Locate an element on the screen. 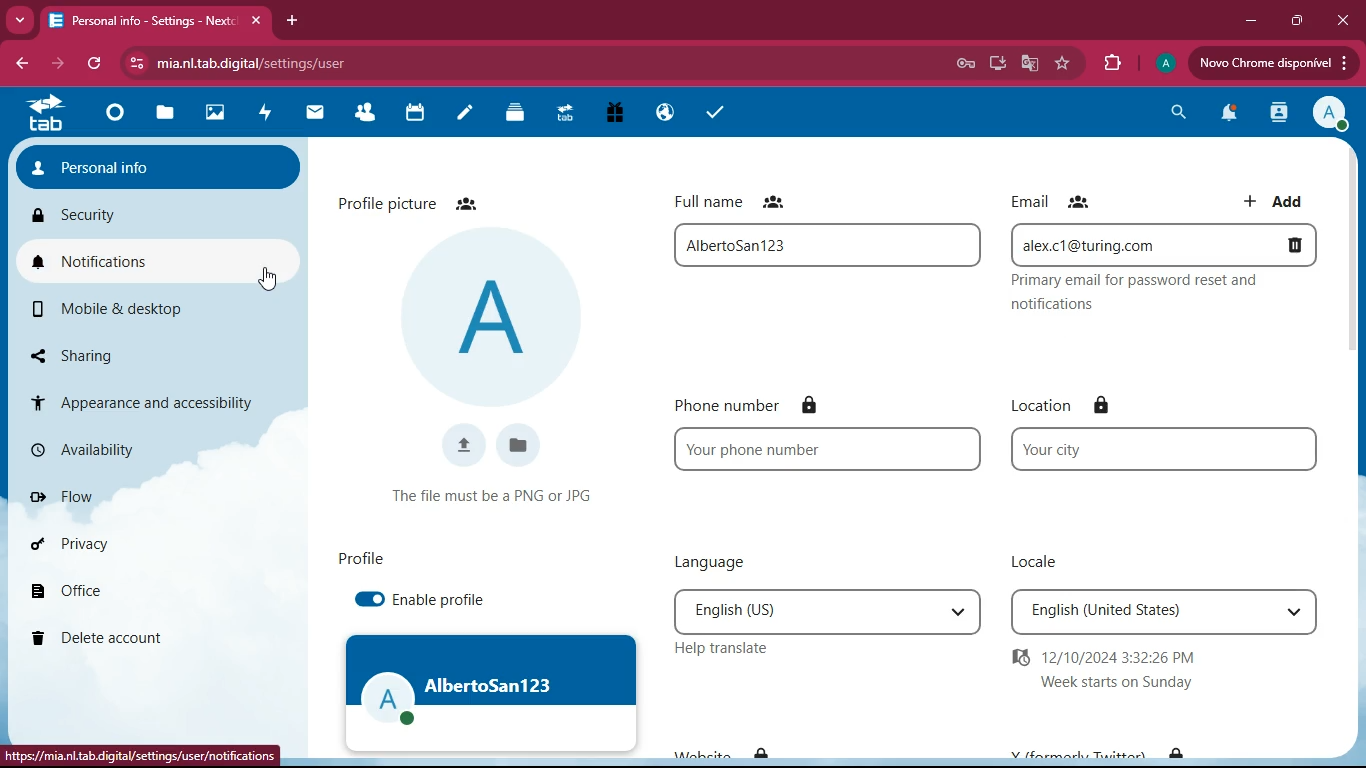  security is located at coordinates (140, 208).